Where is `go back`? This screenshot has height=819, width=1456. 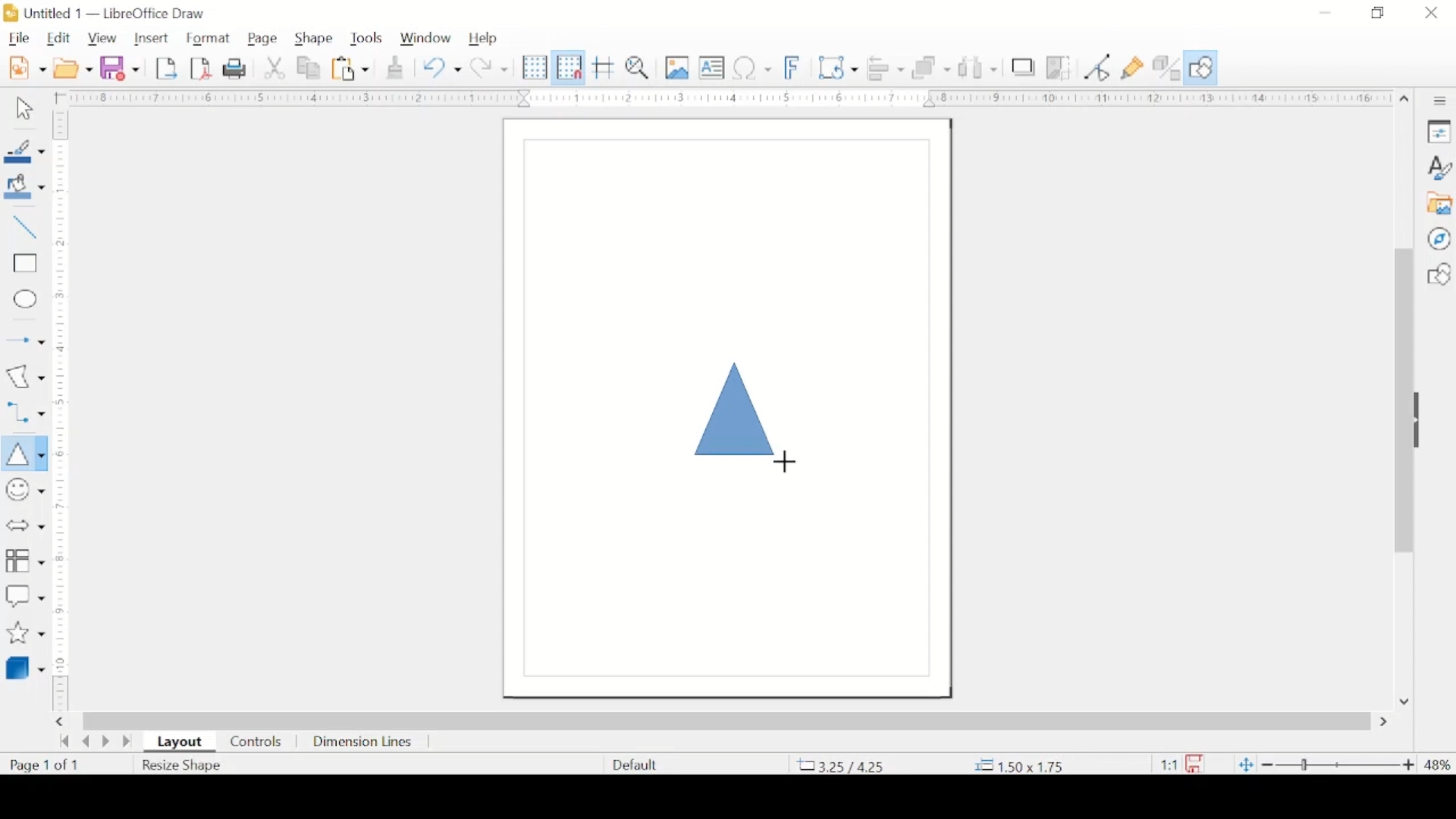 go back is located at coordinates (64, 741).